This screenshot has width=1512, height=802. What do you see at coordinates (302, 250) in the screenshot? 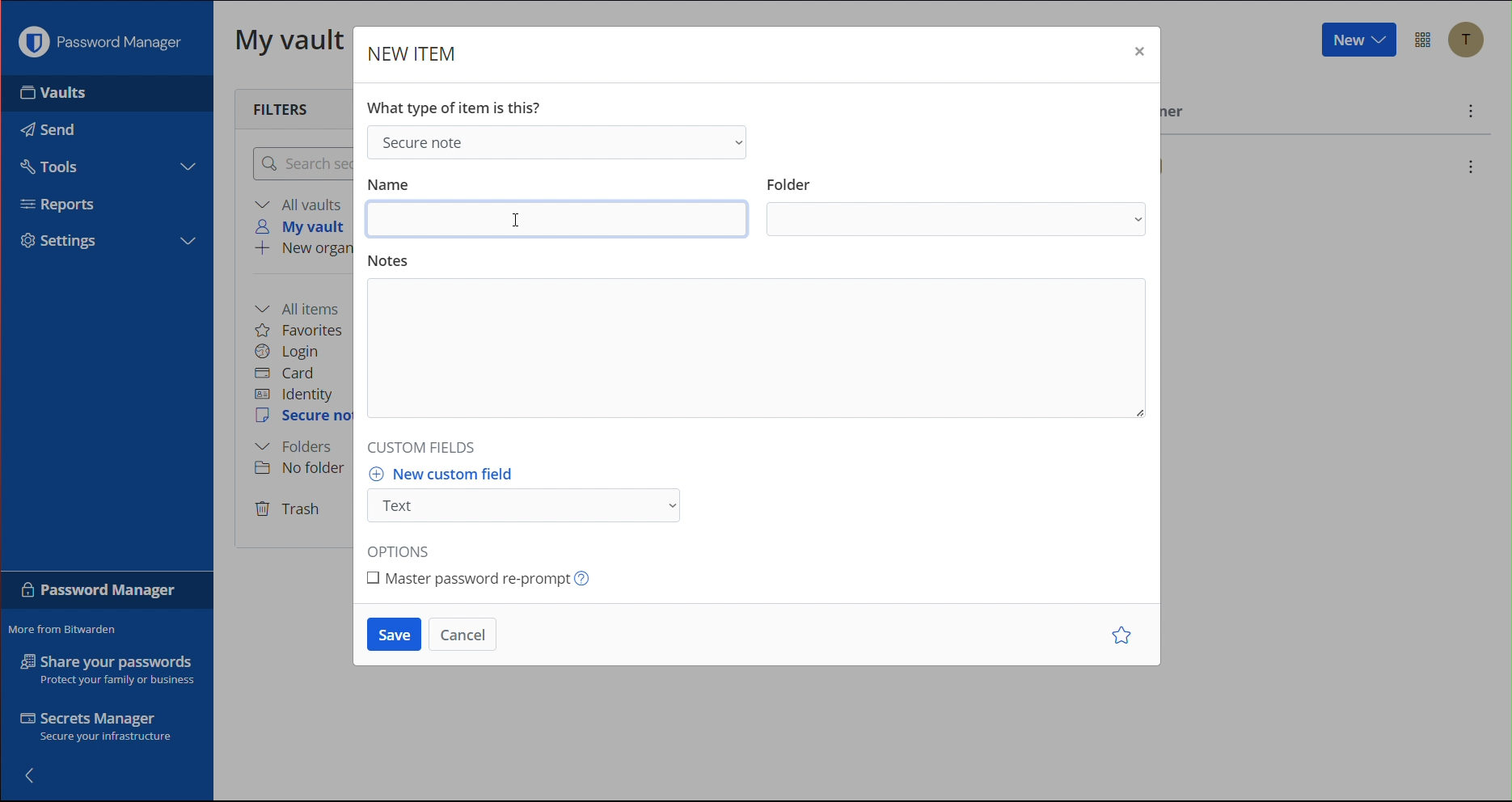
I see `New organization` at bounding box center [302, 250].